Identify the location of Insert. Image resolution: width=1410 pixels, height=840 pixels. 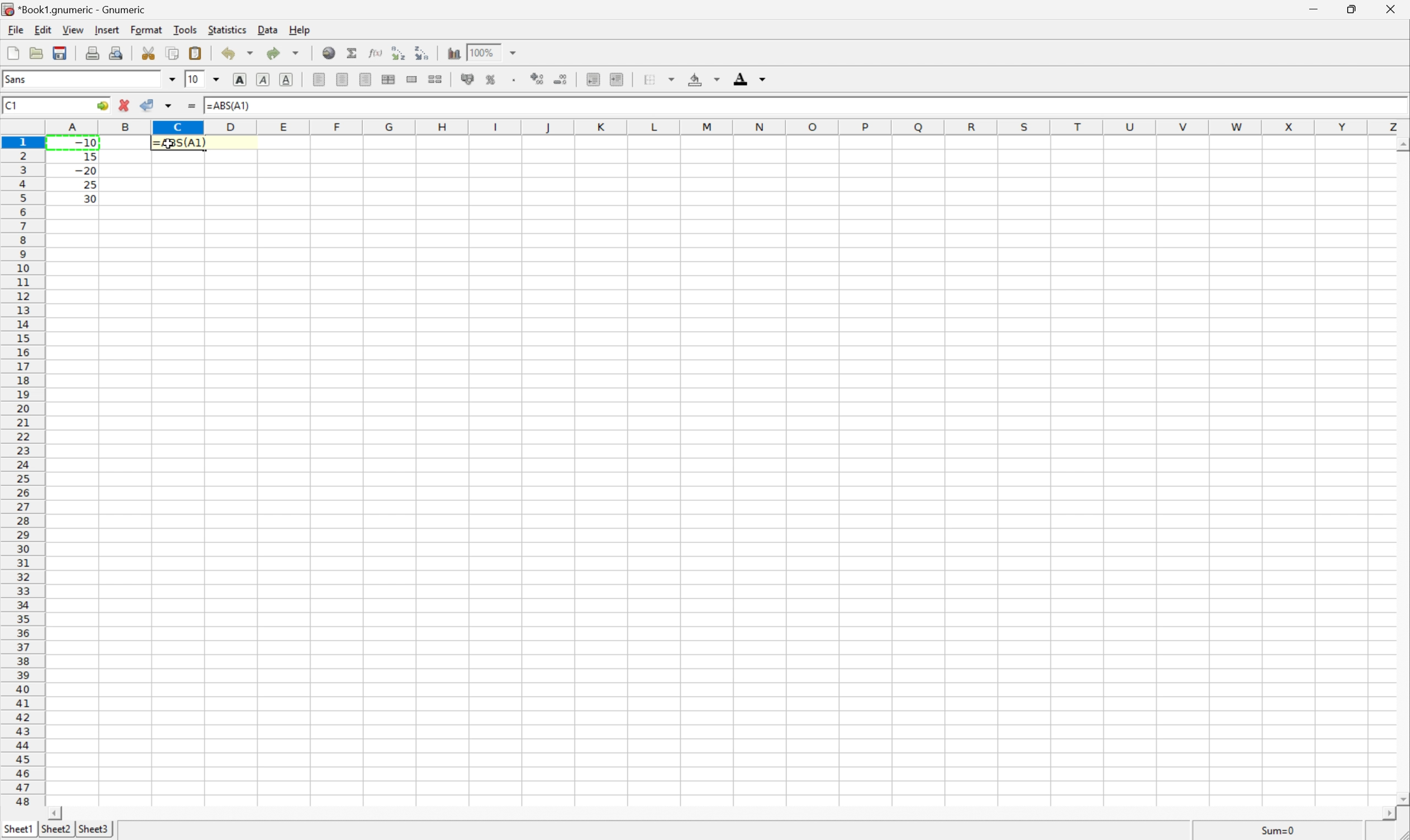
(108, 30).